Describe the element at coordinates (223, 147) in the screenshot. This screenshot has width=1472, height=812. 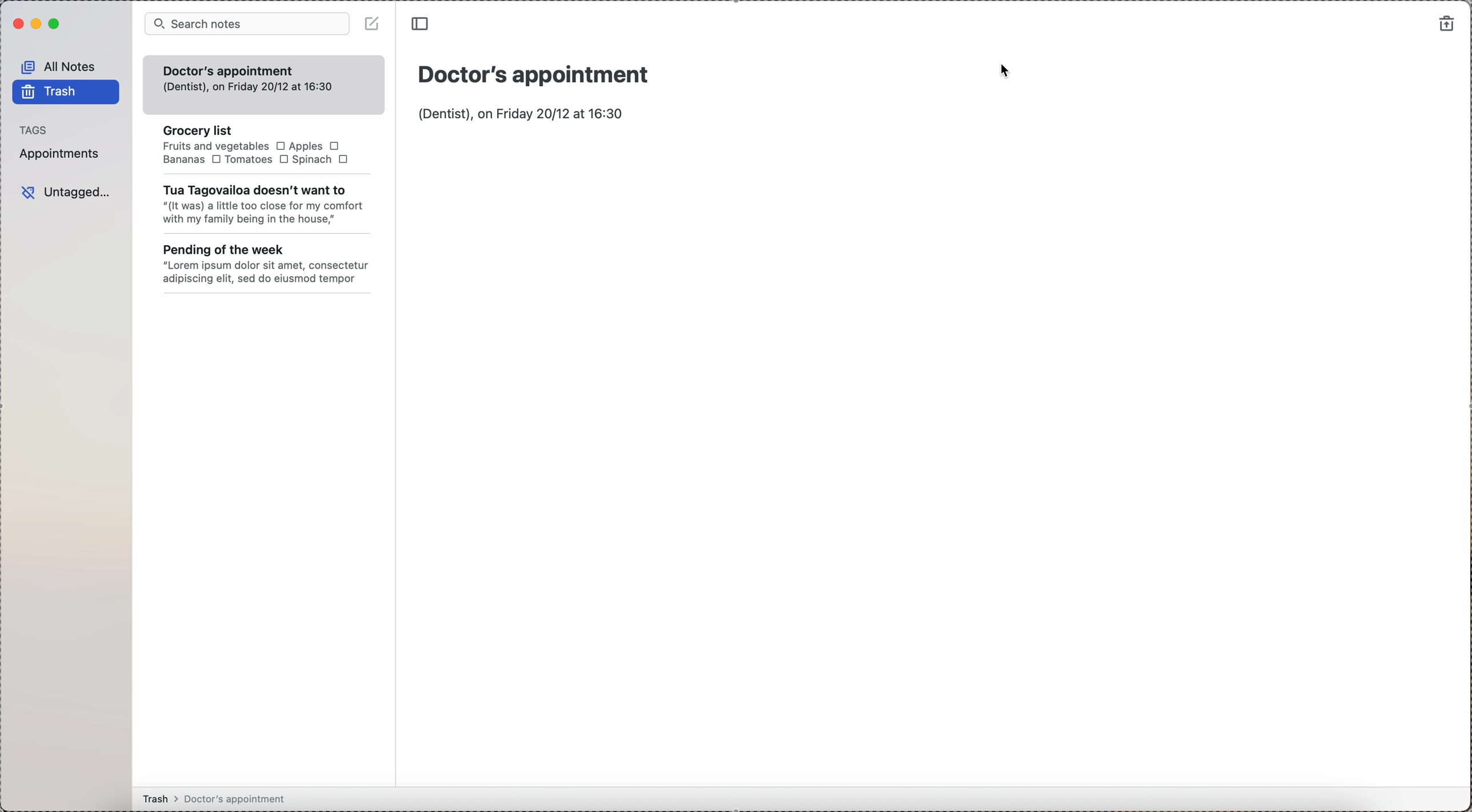
I see `Fruits and vegetables` at that location.